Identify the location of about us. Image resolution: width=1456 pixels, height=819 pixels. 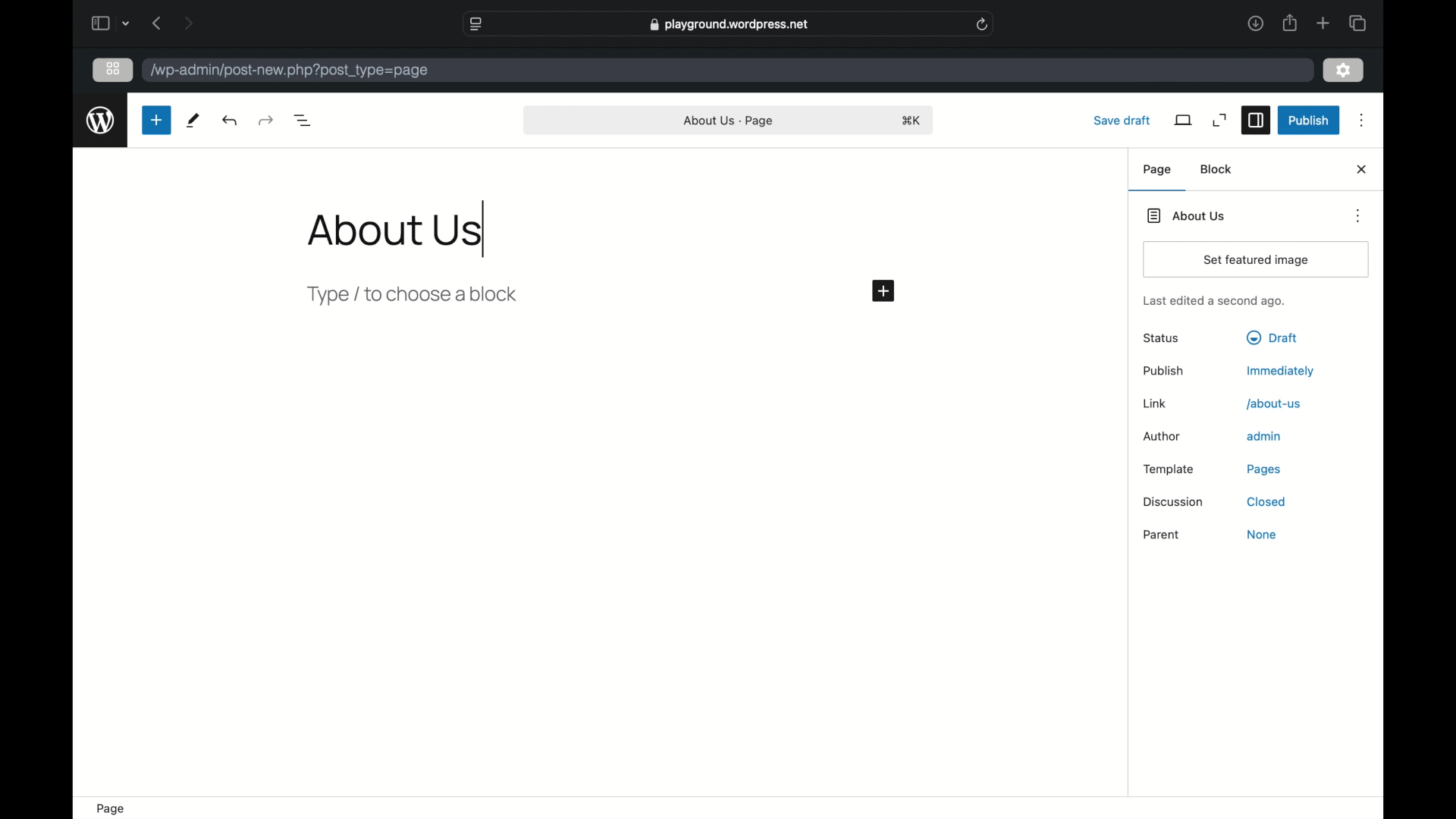
(730, 121).